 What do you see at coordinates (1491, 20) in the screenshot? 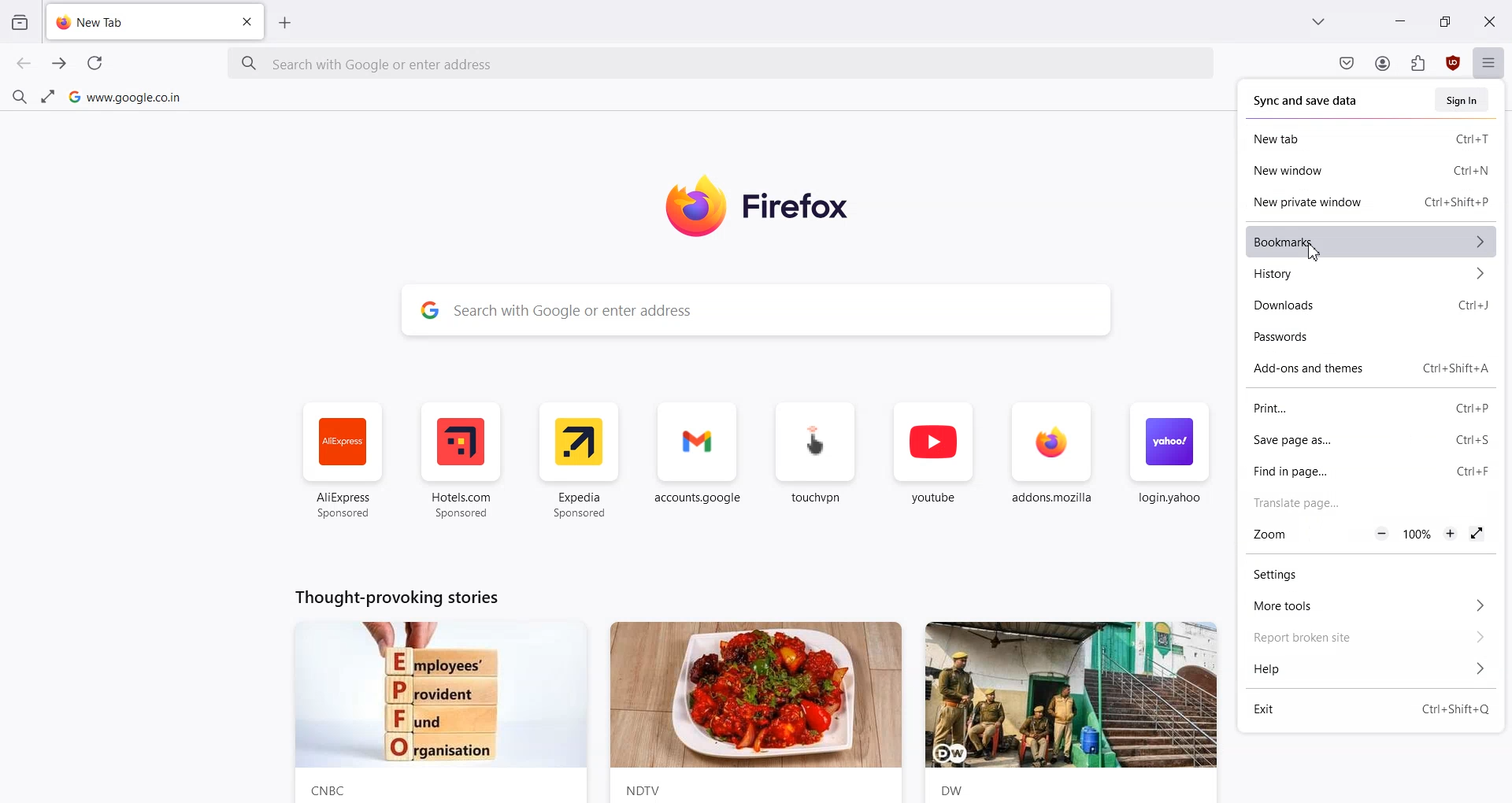
I see `Close` at bounding box center [1491, 20].